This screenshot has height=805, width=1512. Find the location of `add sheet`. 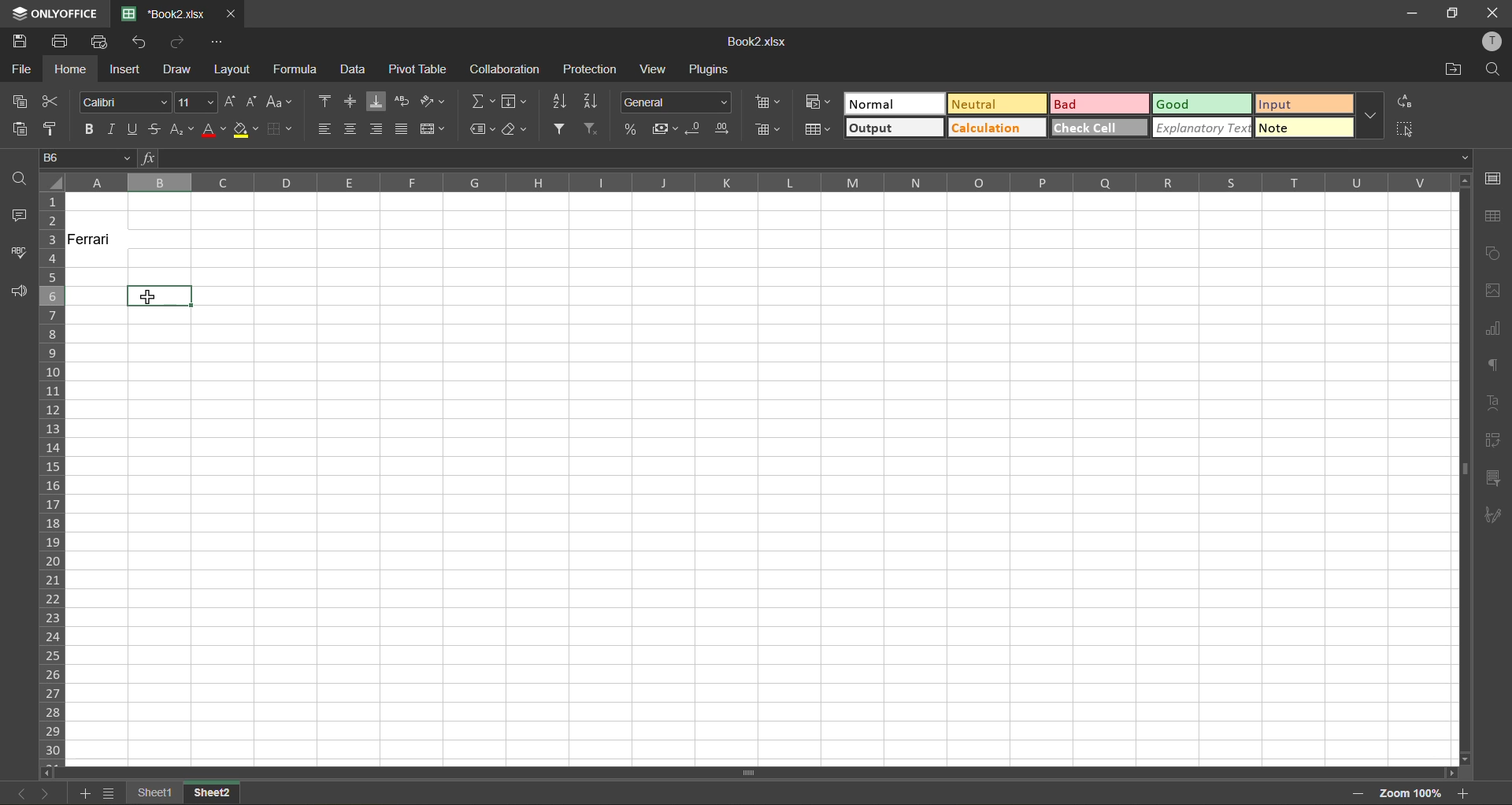

add sheet is located at coordinates (82, 793).